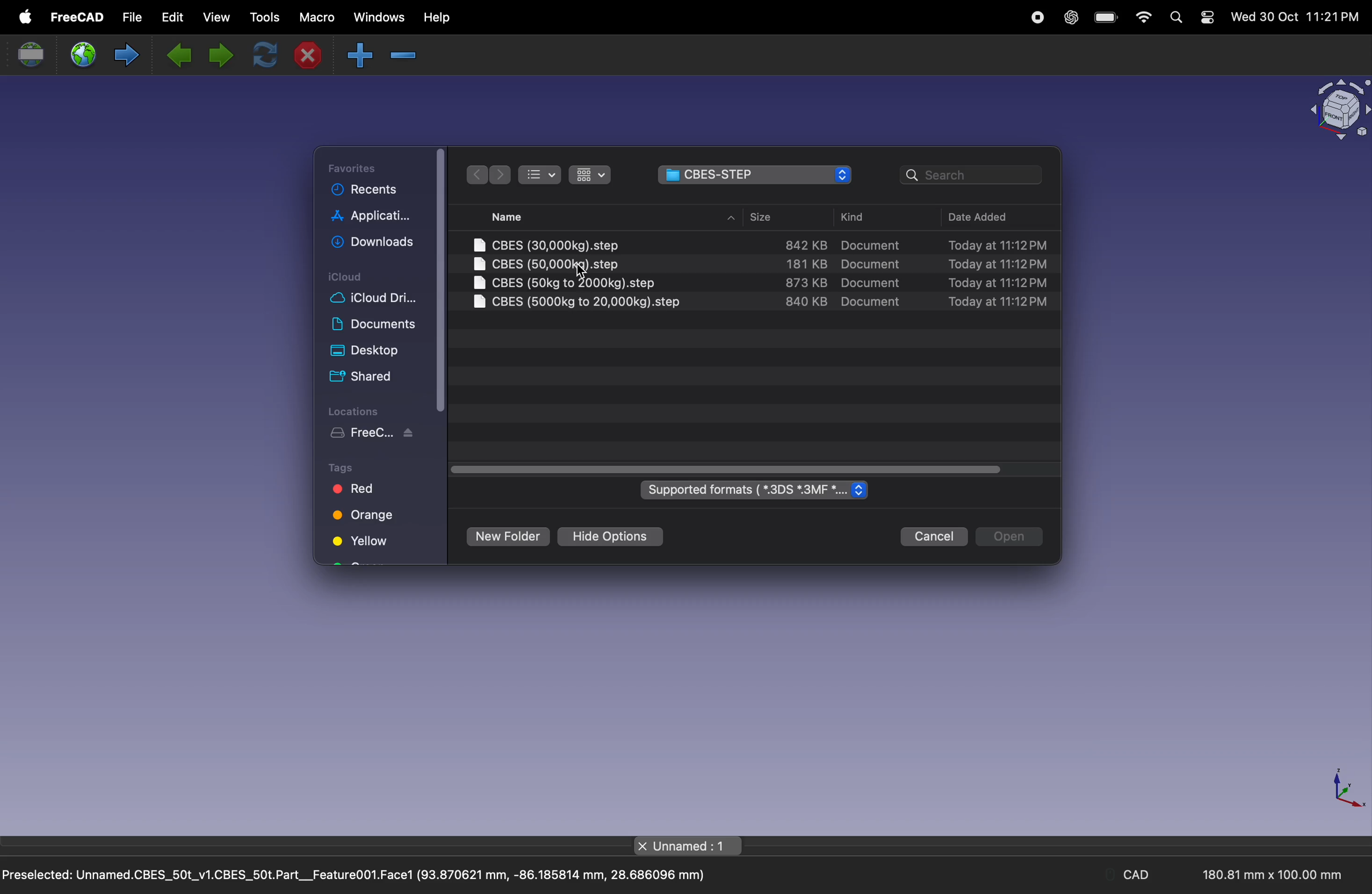 This screenshot has width=1372, height=894. What do you see at coordinates (689, 846) in the screenshot?
I see `page title` at bounding box center [689, 846].